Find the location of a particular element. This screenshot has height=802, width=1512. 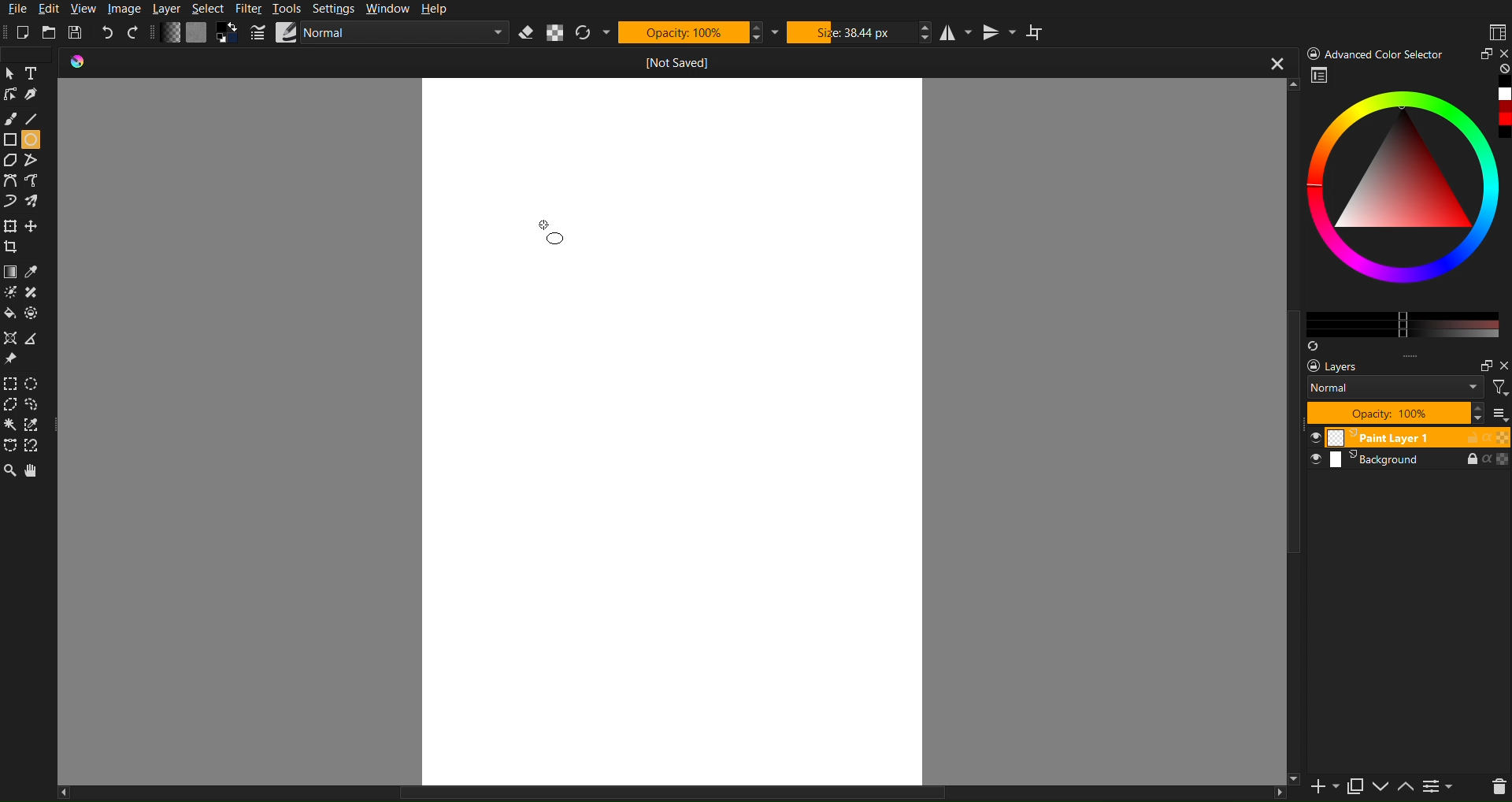

Background is located at coordinates (1408, 462).